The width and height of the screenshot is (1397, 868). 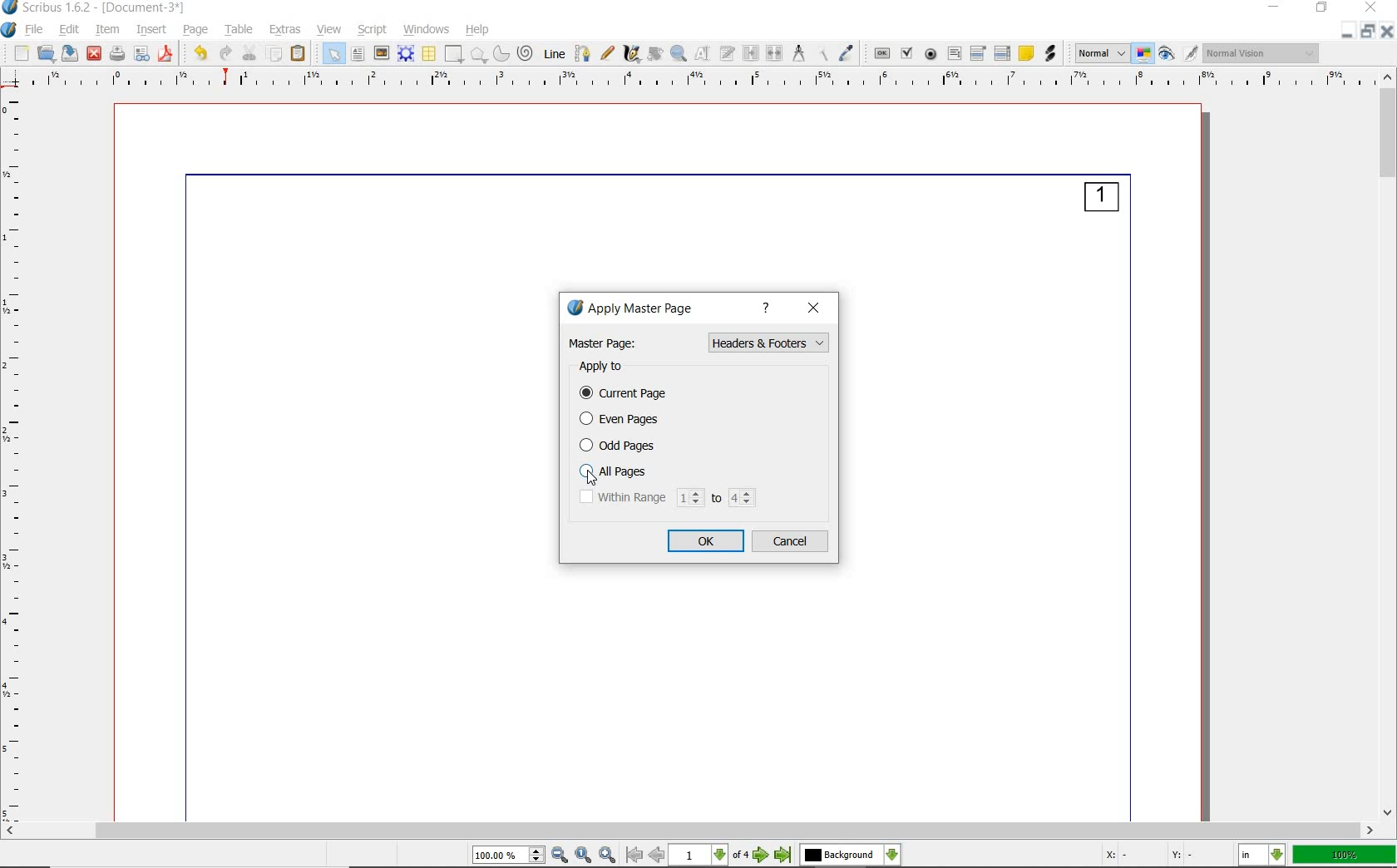 What do you see at coordinates (528, 53) in the screenshot?
I see `spiral` at bounding box center [528, 53].